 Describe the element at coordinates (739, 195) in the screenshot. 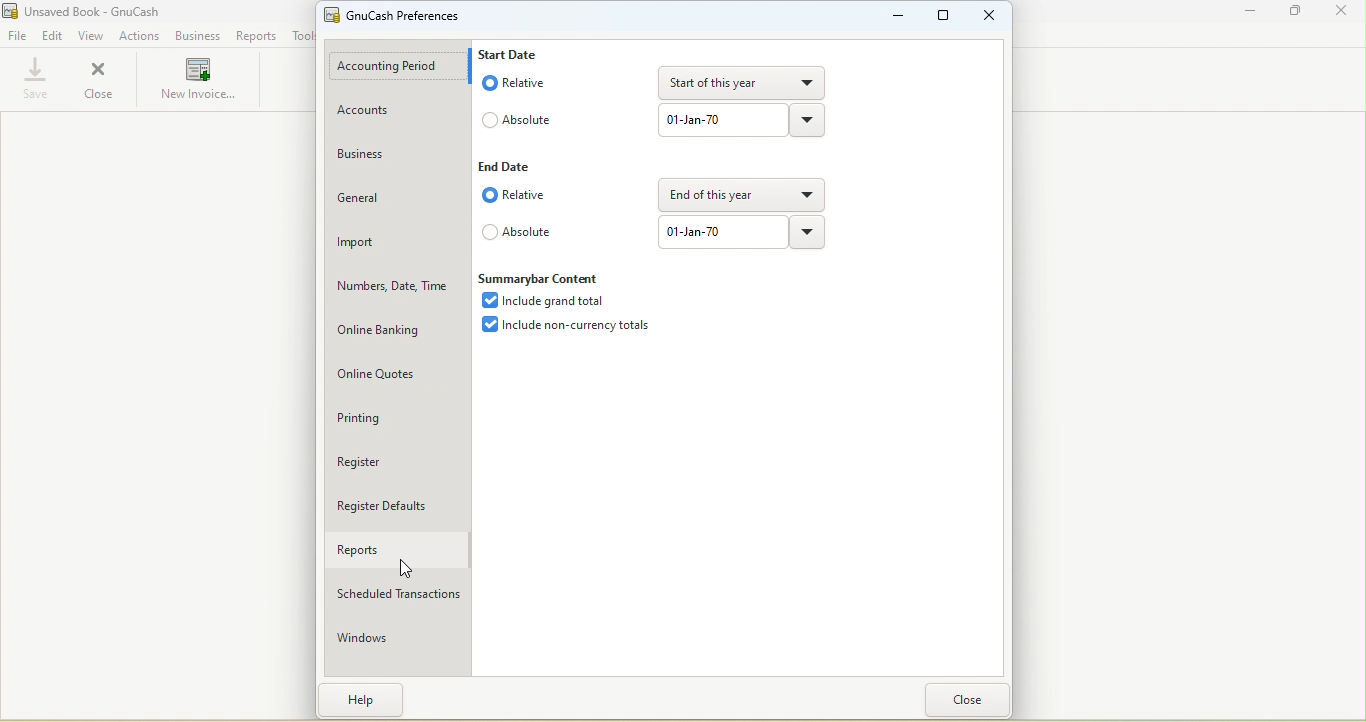

I see `Drop down` at that location.